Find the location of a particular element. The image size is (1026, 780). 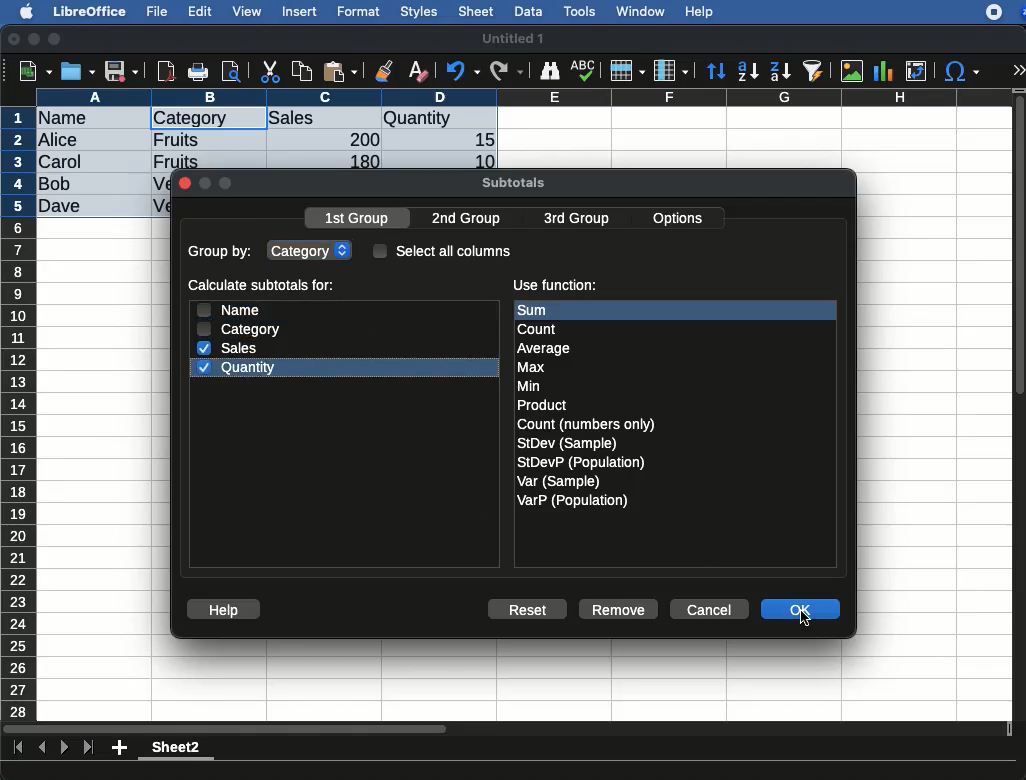

2nd group is located at coordinates (471, 219).